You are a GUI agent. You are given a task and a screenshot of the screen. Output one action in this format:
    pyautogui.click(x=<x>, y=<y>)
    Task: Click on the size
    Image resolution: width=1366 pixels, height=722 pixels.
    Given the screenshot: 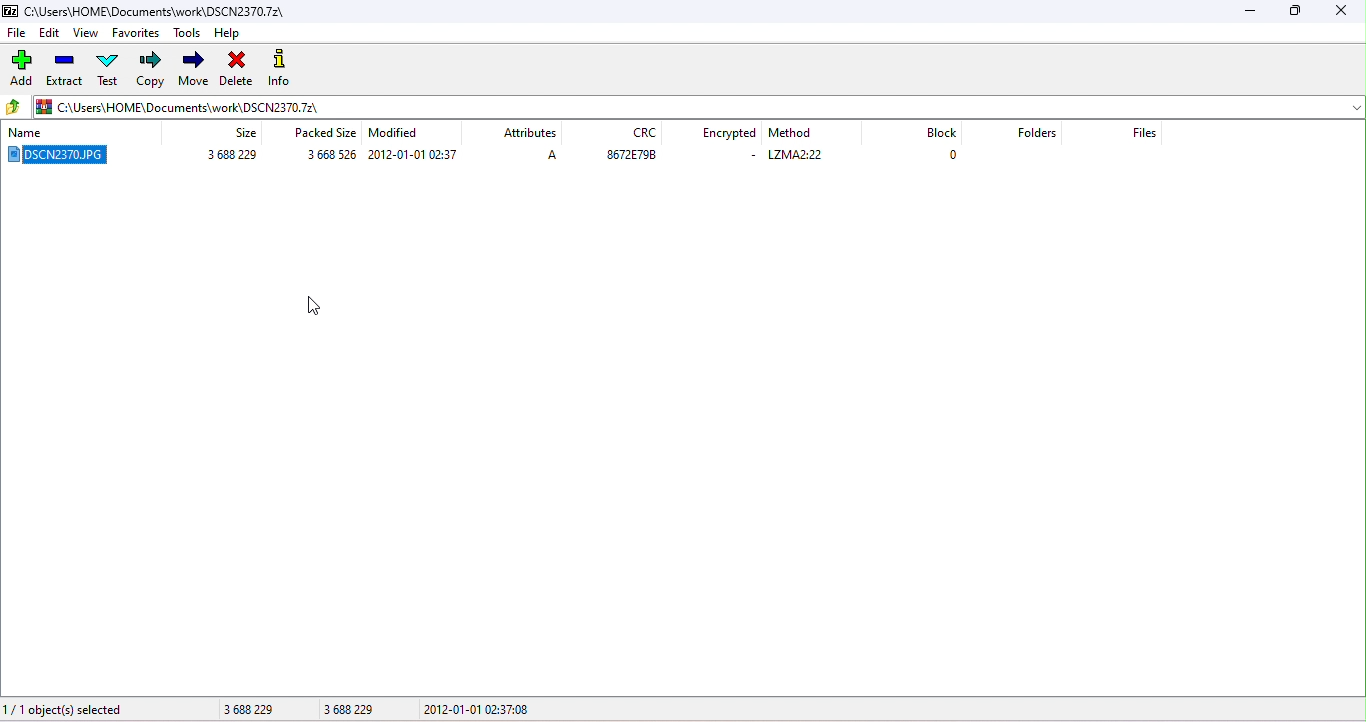 What is the action you would take?
    pyautogui.click(x=294, y=710)
    